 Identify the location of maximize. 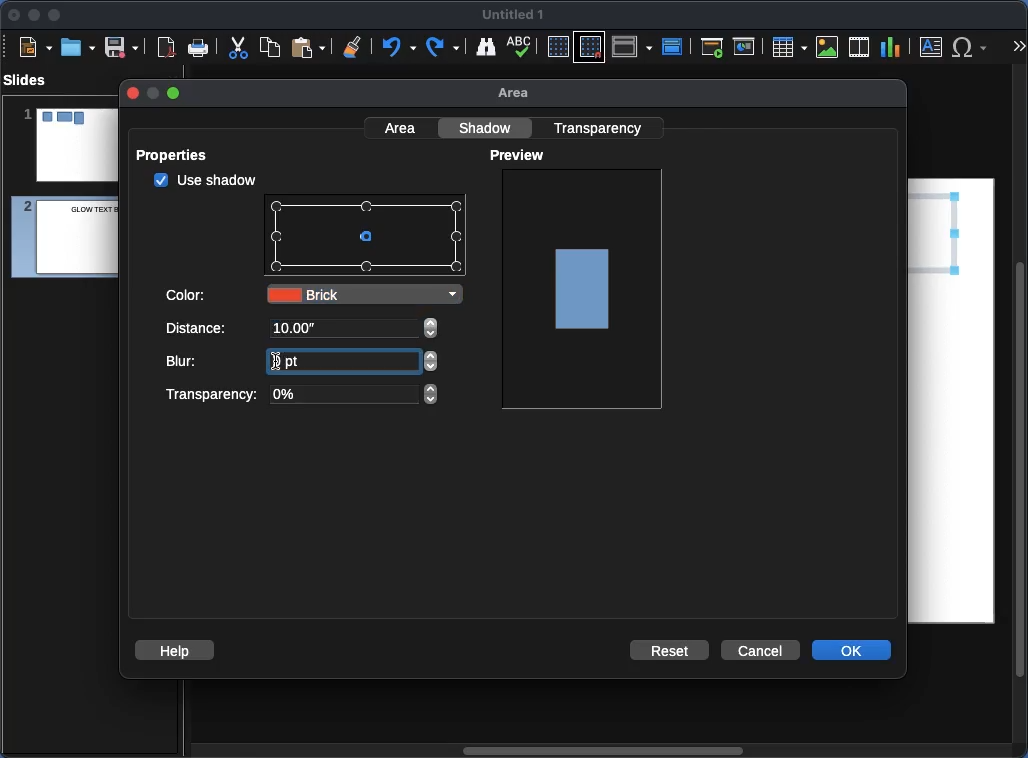
(175, 94).